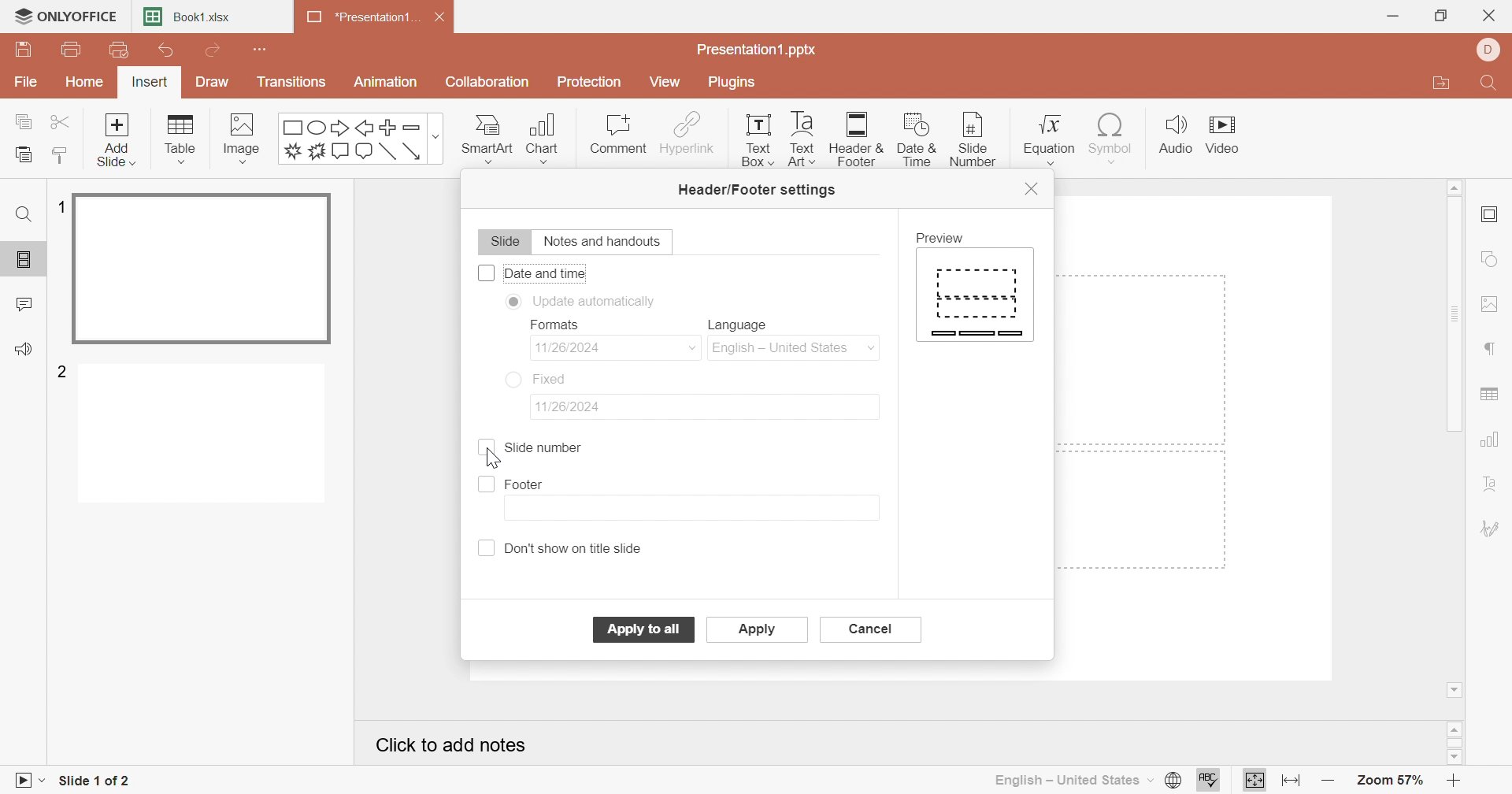 This screenshot has height=794, width=1512. I want to click on Image settings, so click(1494, 306).